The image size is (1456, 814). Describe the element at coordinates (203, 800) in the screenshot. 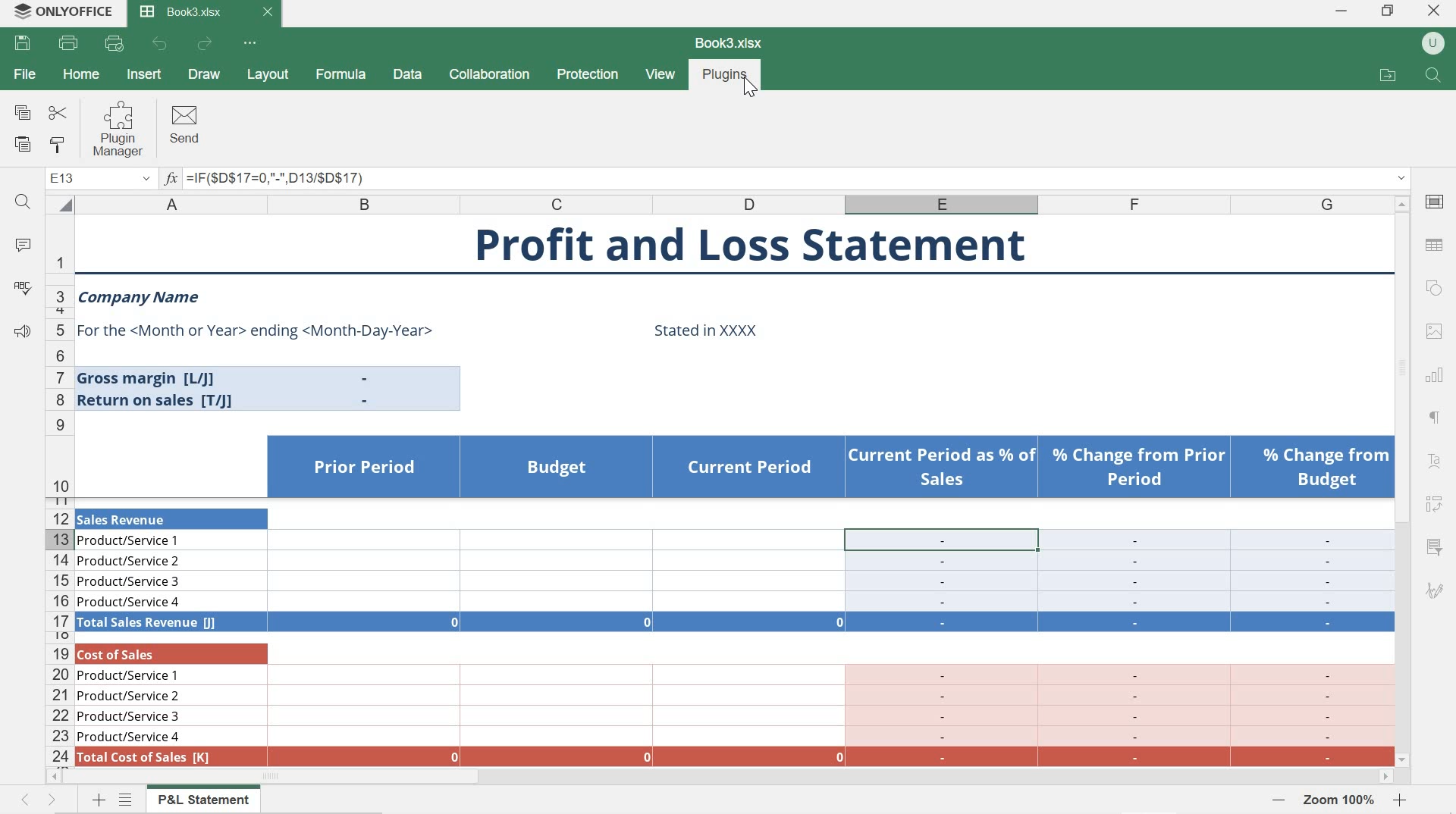

I see `P & L statement` at that location.